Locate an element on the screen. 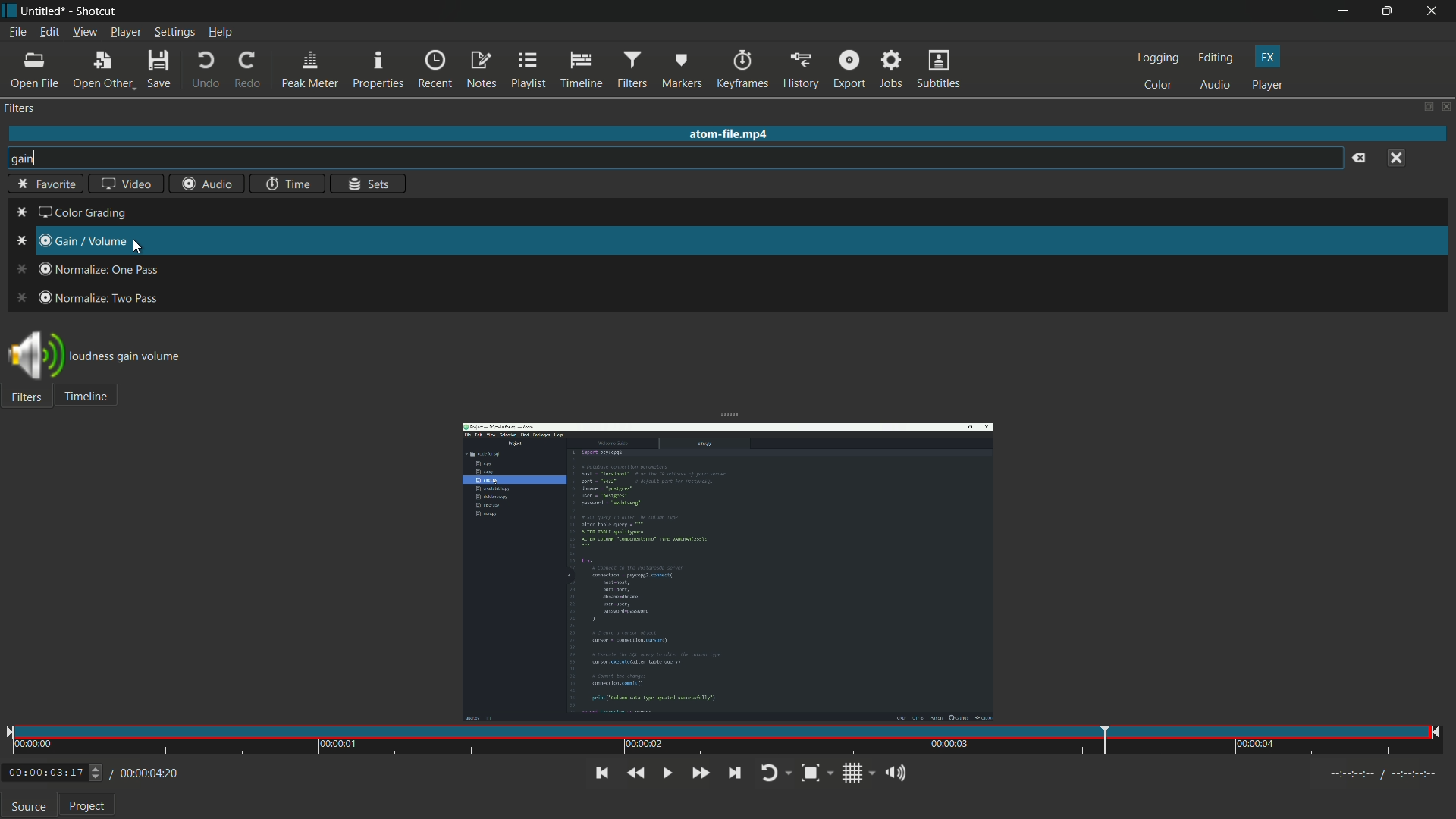 This screenshot has width=1456, height=819. logging is located at coordinates (1157, 58).